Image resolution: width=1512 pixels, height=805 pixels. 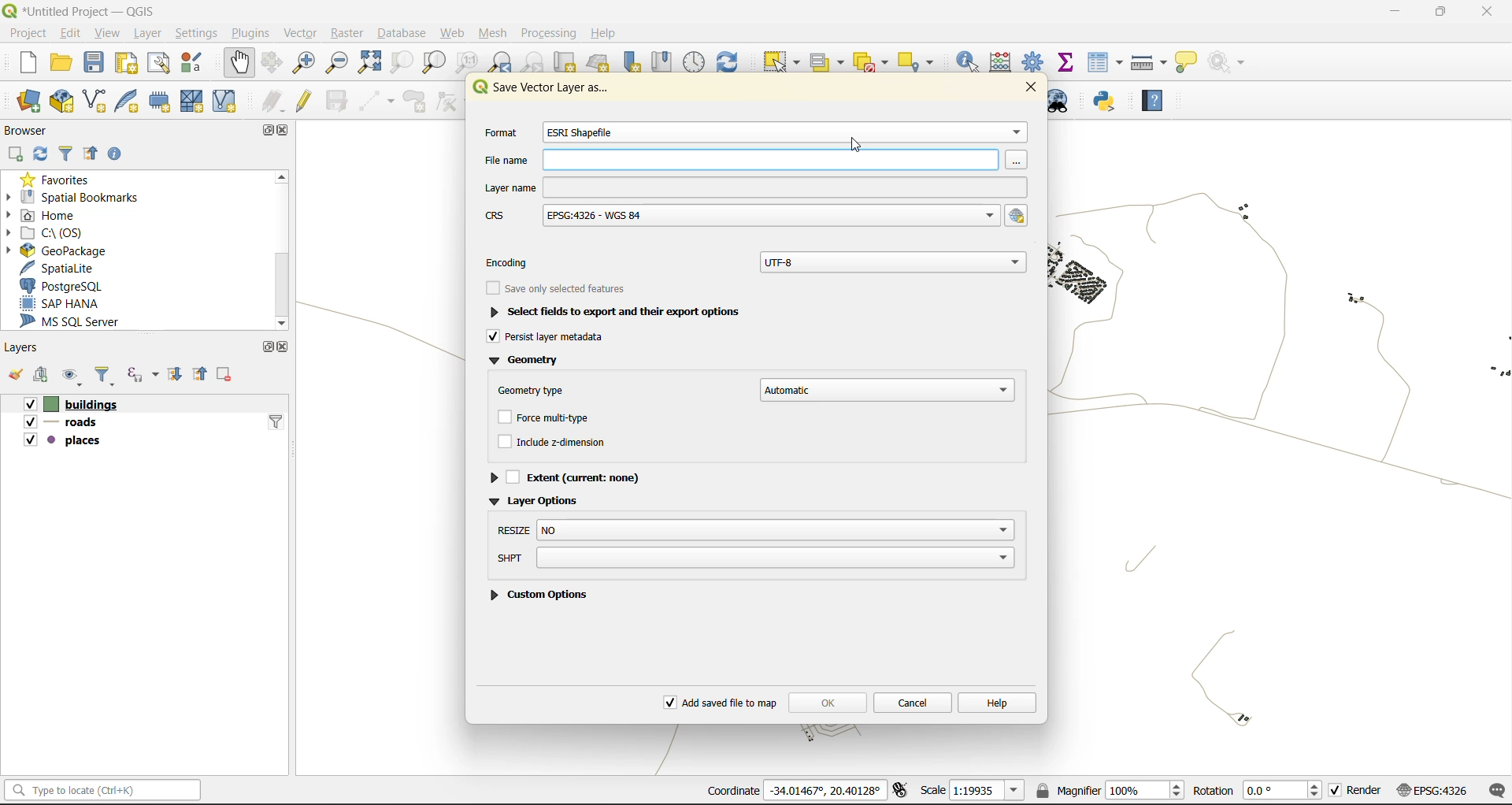 I want to click on filter, so click(x=67, y=153).